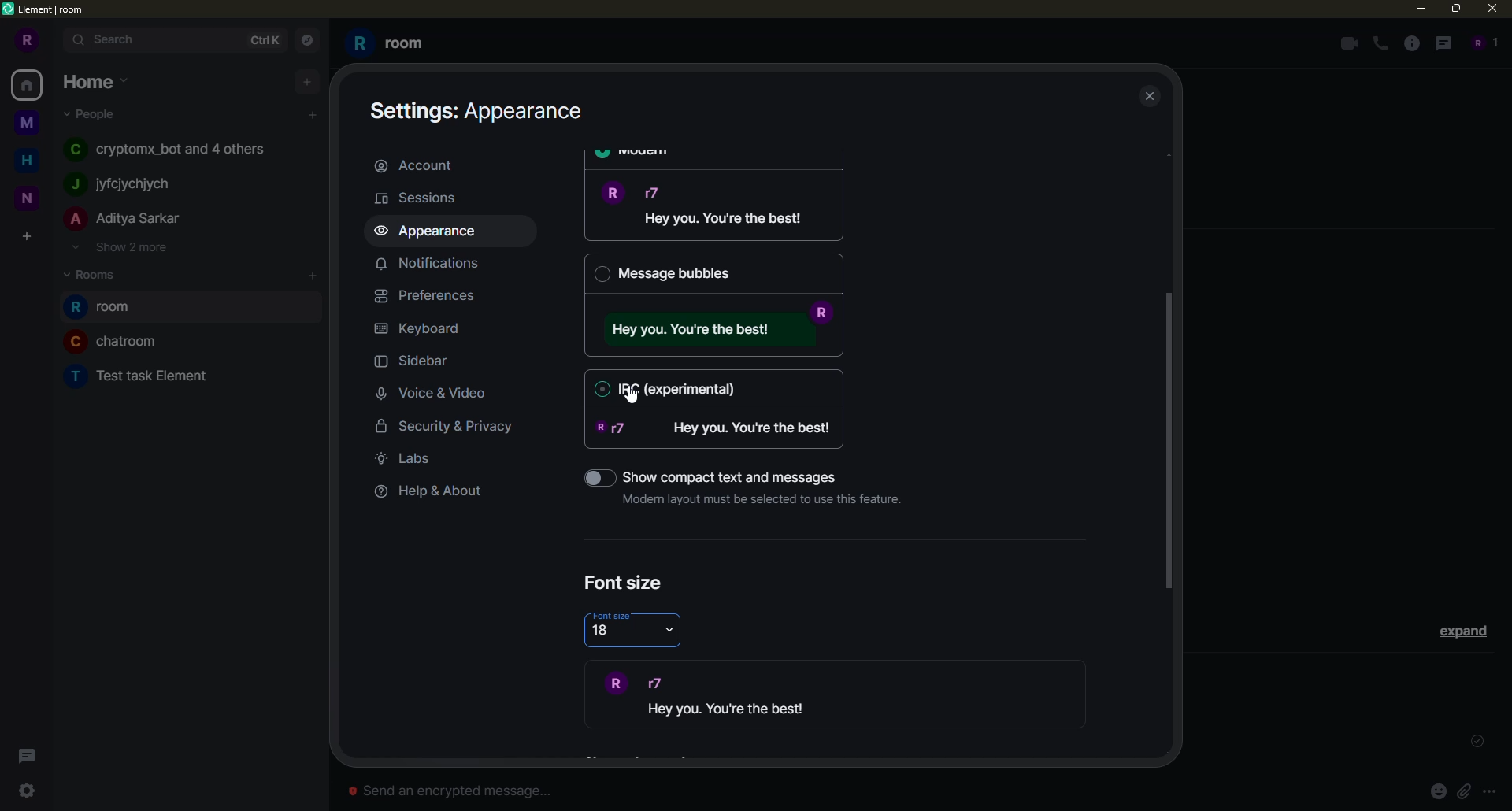 The image size is (1512, 811). Describe the element at coordinates (24, 40) in the screenshot. I see `profile` at that location.